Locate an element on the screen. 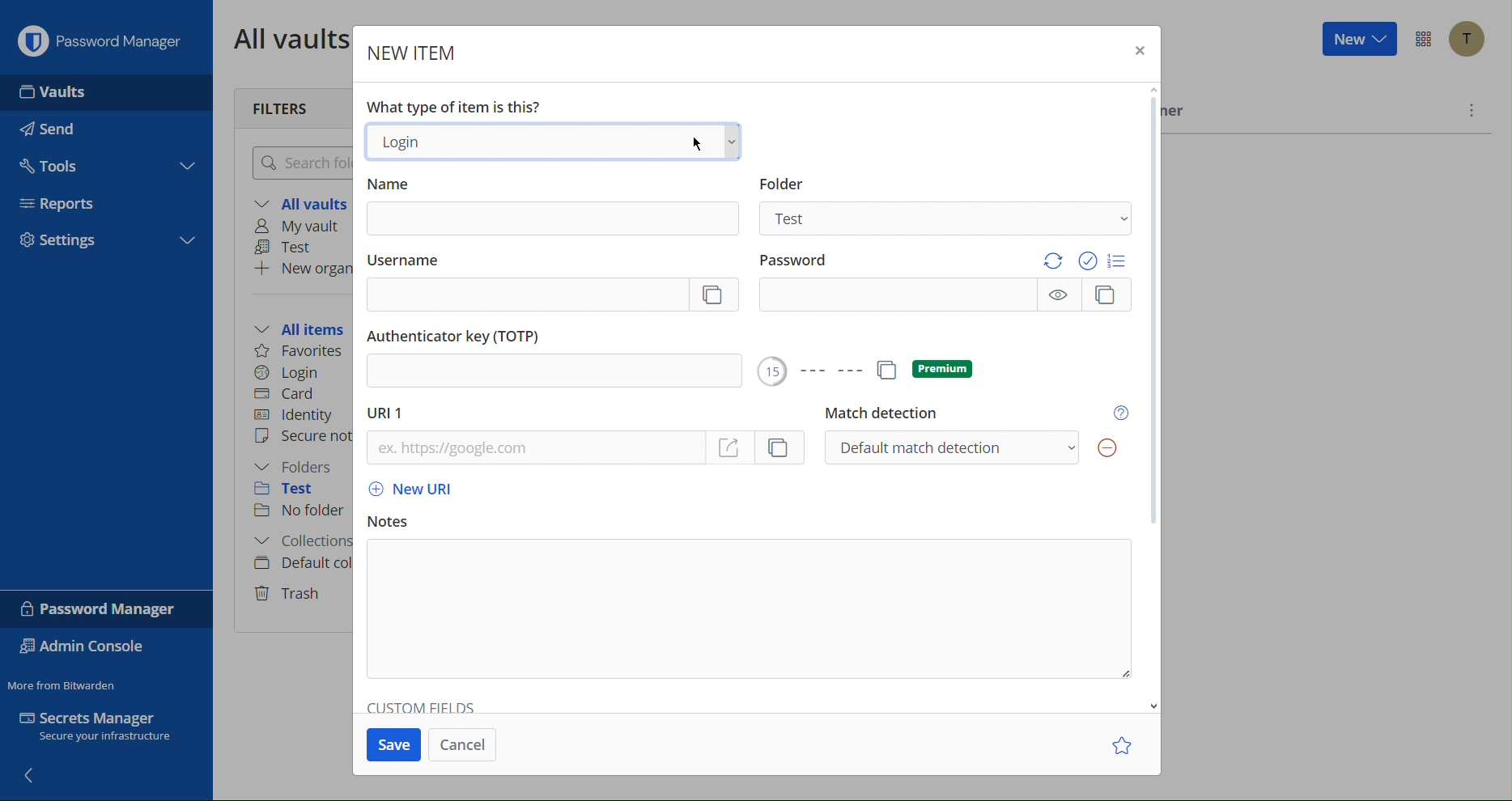 The width and height of the screenshot is (1512, 801). New is located at coordinates (1358, 38).